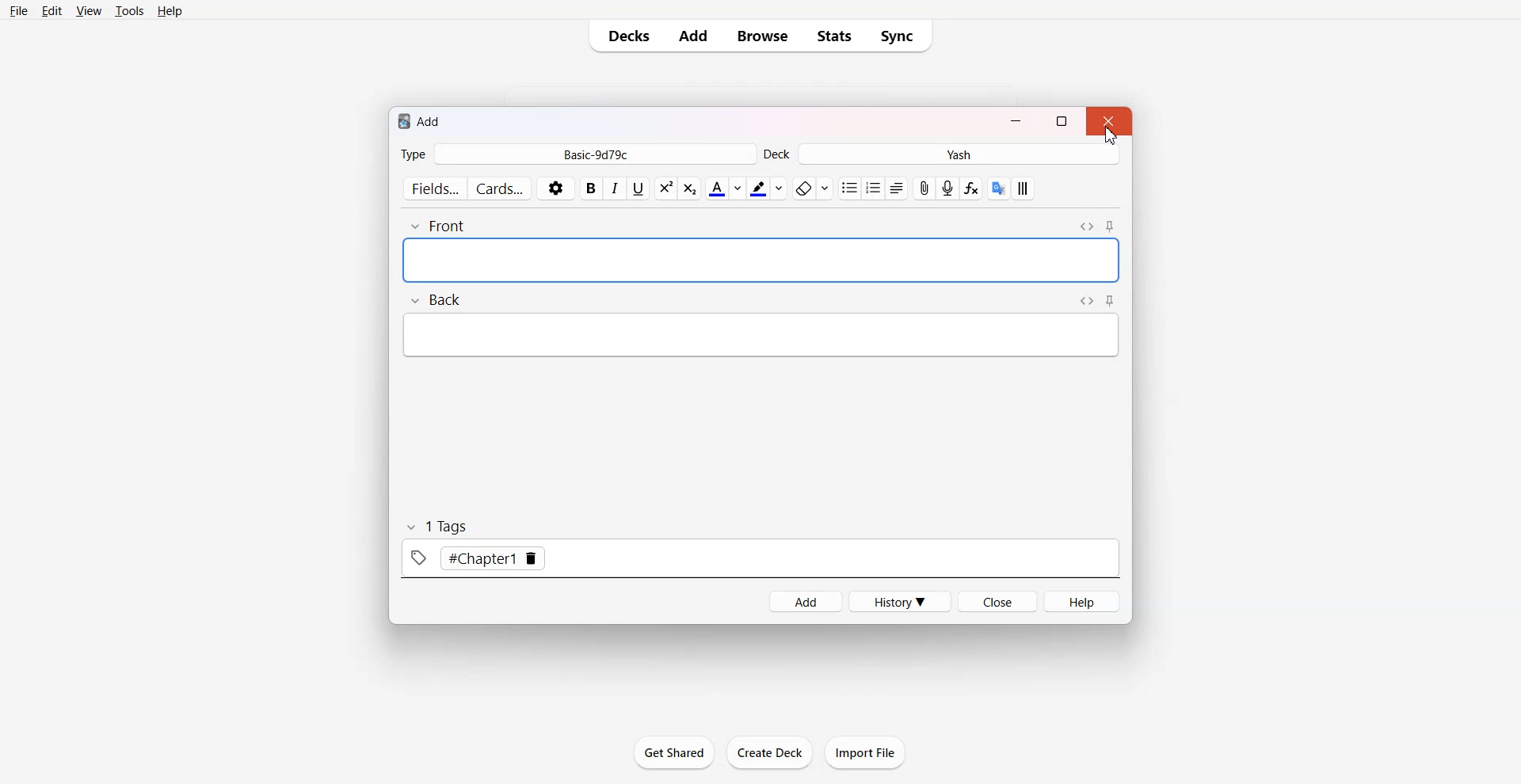 The image size is (1521, 784). Describe the element at coordinates (460, 558) in the screenshot. I see `Tag - #Chapter1` at that location.